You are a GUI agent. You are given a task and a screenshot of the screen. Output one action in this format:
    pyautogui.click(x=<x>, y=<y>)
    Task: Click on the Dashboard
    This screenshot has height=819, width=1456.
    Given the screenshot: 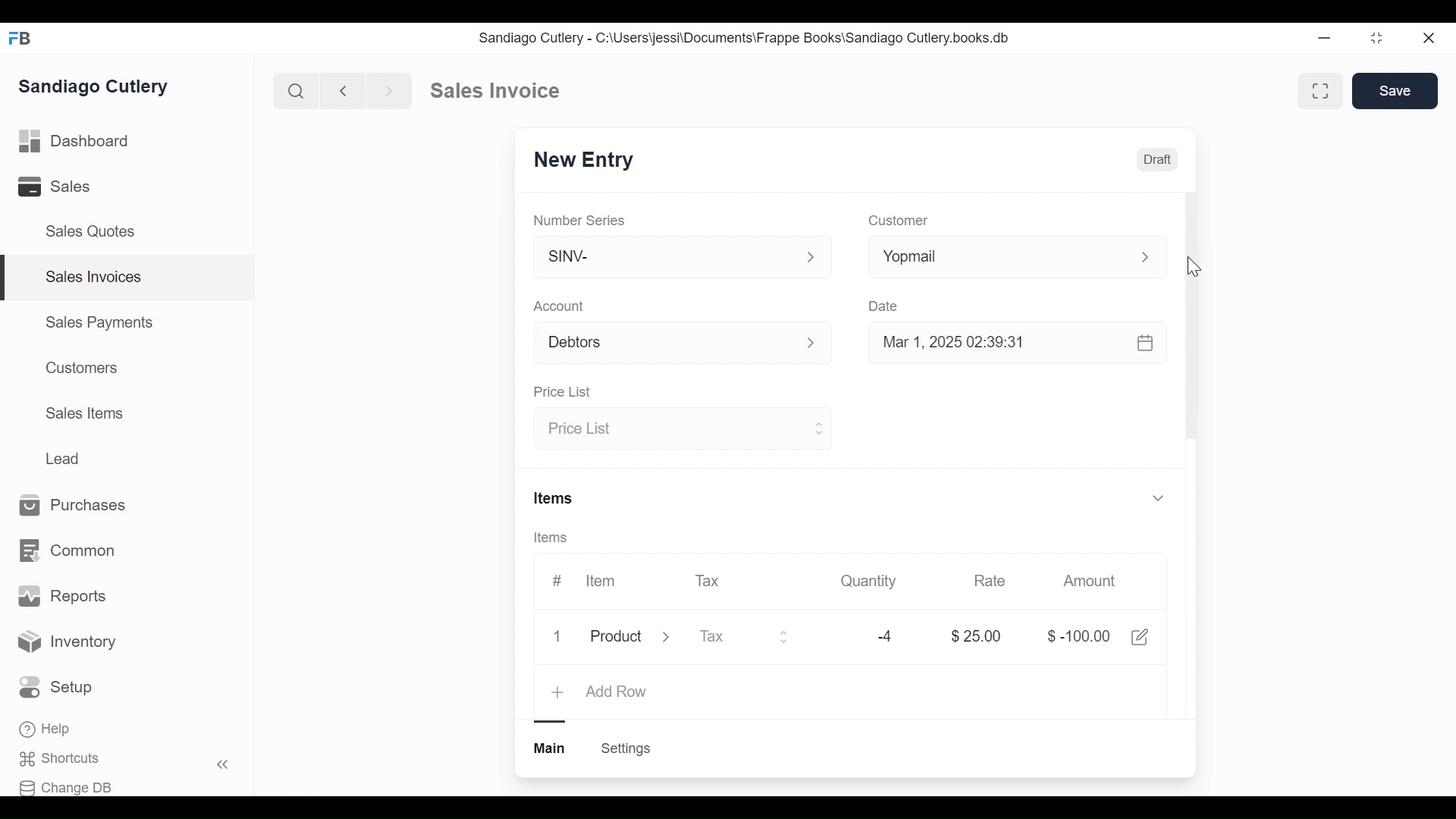 What is the action you would take?
    pyautogui.click(x=74, y=141)
    